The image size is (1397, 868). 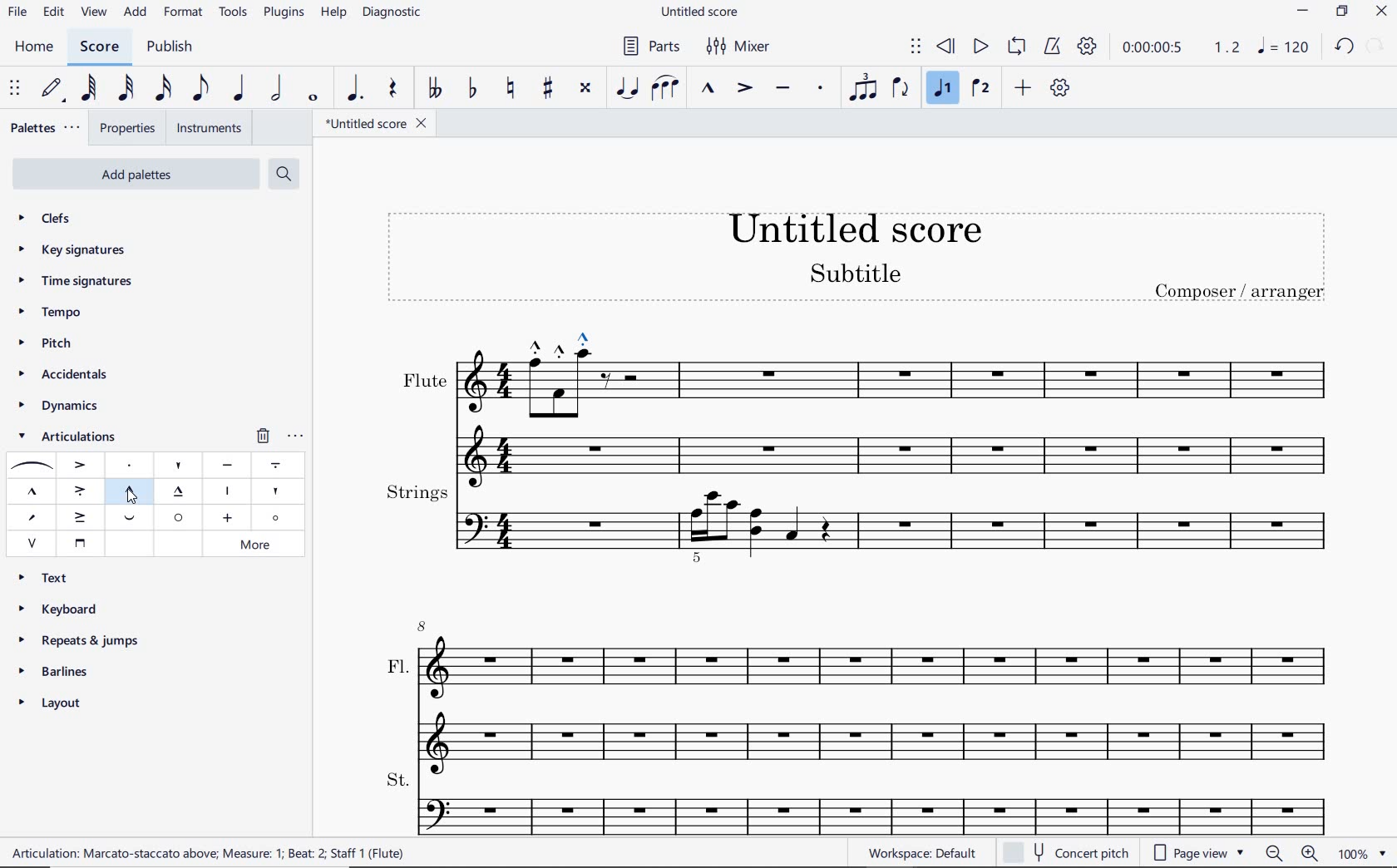 I want to click on palettes, so click(x=47, y=126).